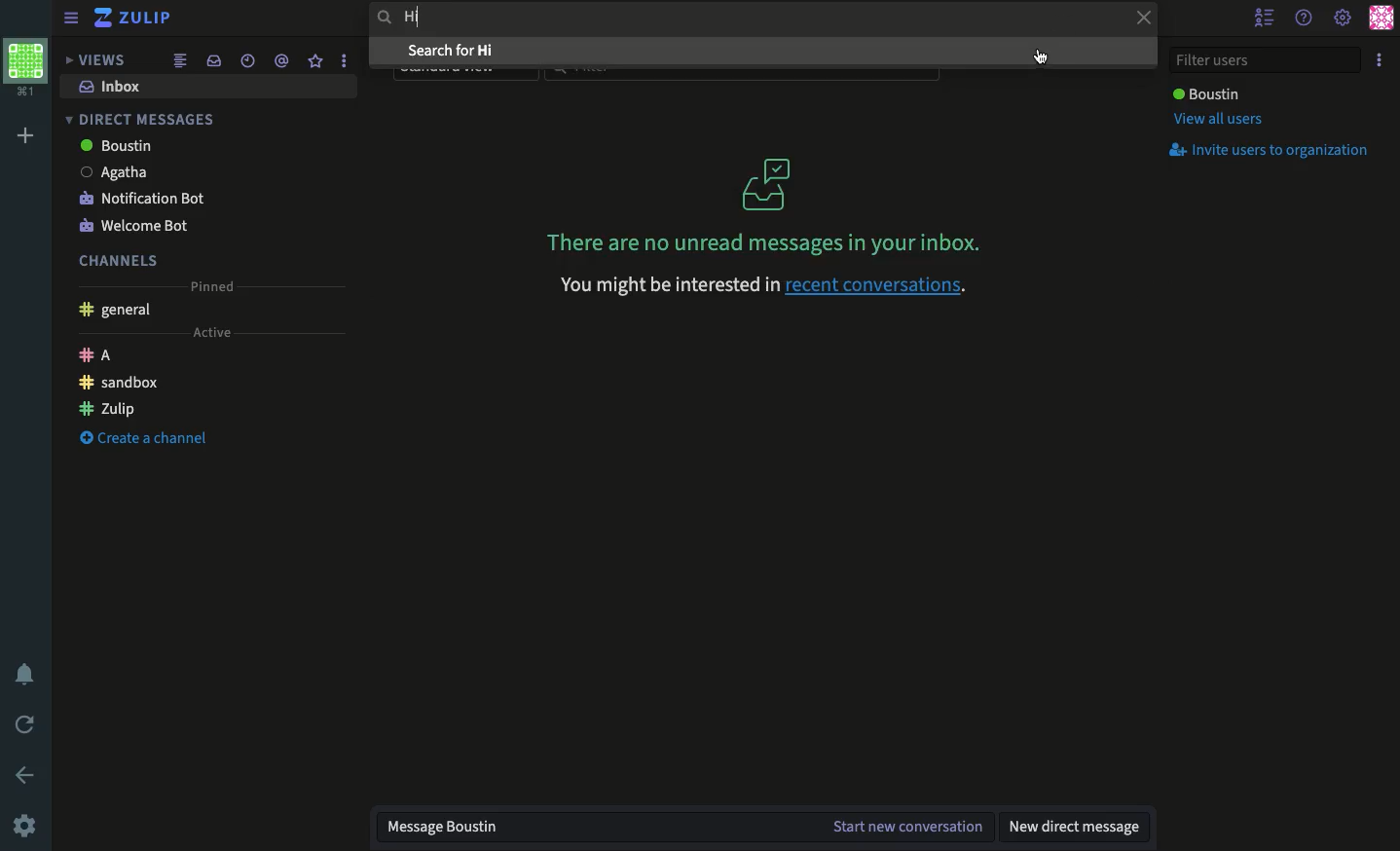 The width and height of the screenshot is (1400, 851). What do you see at coordinates (1205, 93) in the screenshot?
I see `User` at bounding box center [1205, 93].